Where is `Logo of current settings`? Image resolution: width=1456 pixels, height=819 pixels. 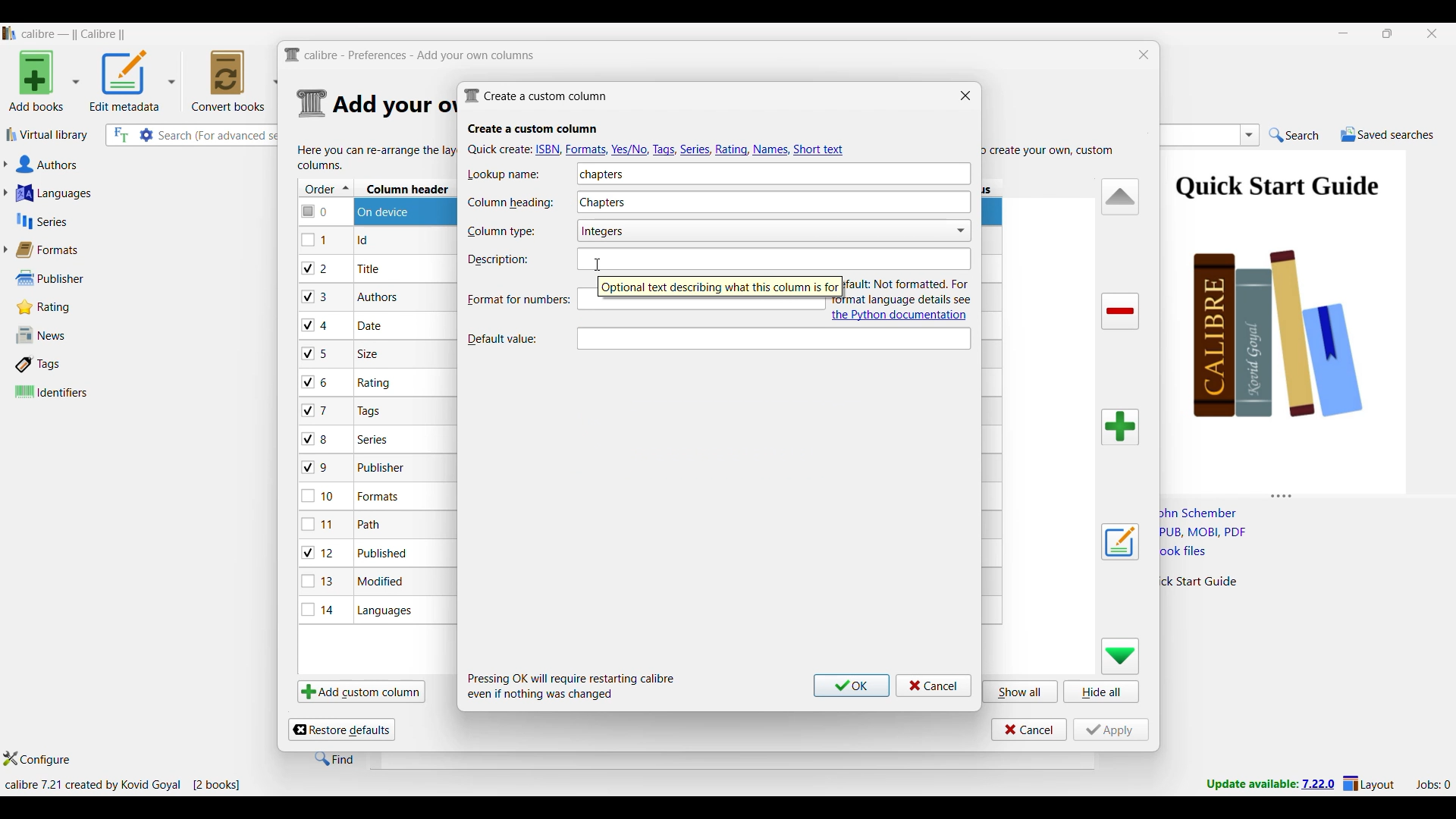
Logo of current settings is located at coordinates (312, 104).